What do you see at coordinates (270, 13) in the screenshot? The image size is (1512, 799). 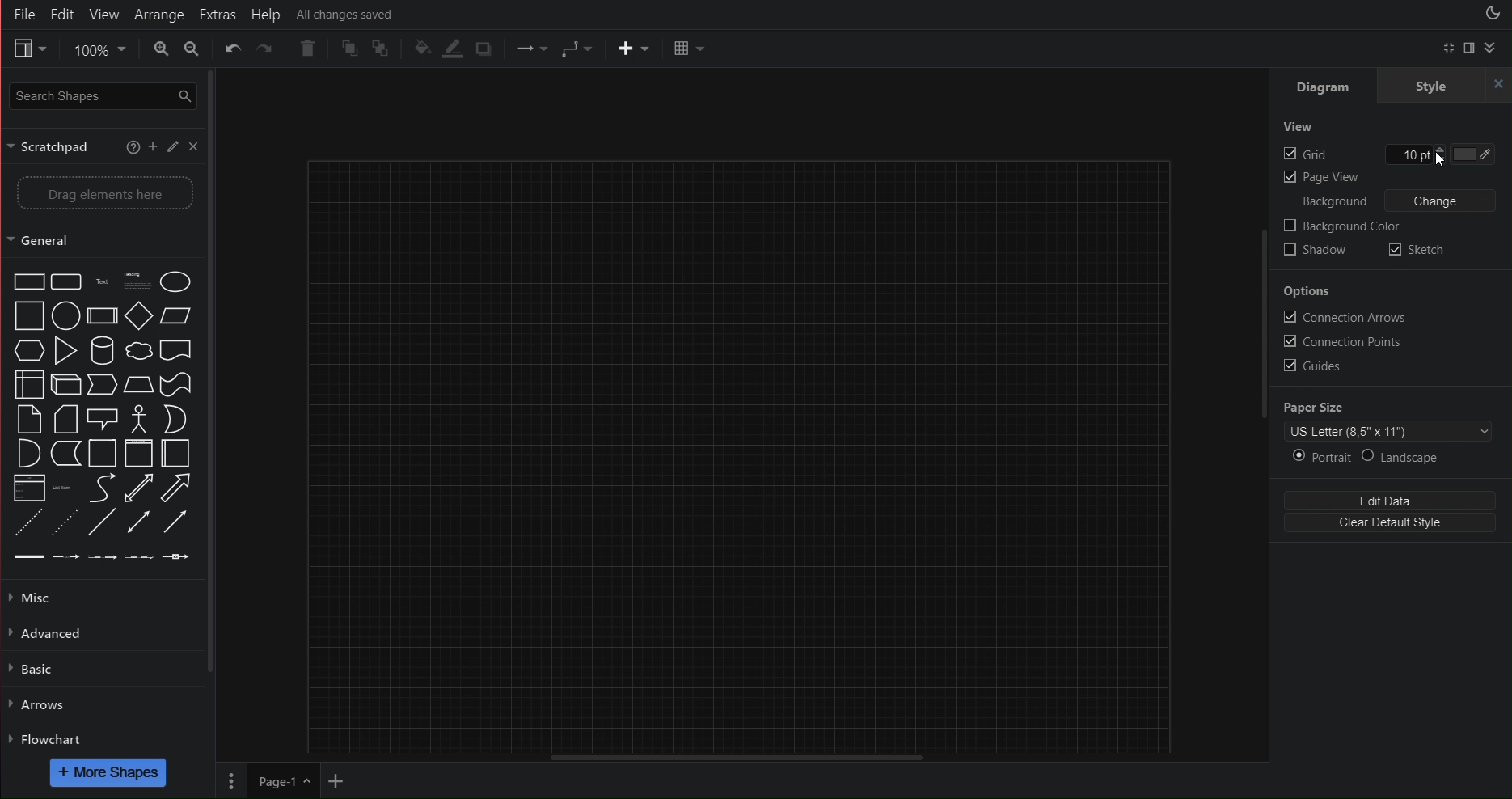 I see `Help` at bounding box center [270, 13].